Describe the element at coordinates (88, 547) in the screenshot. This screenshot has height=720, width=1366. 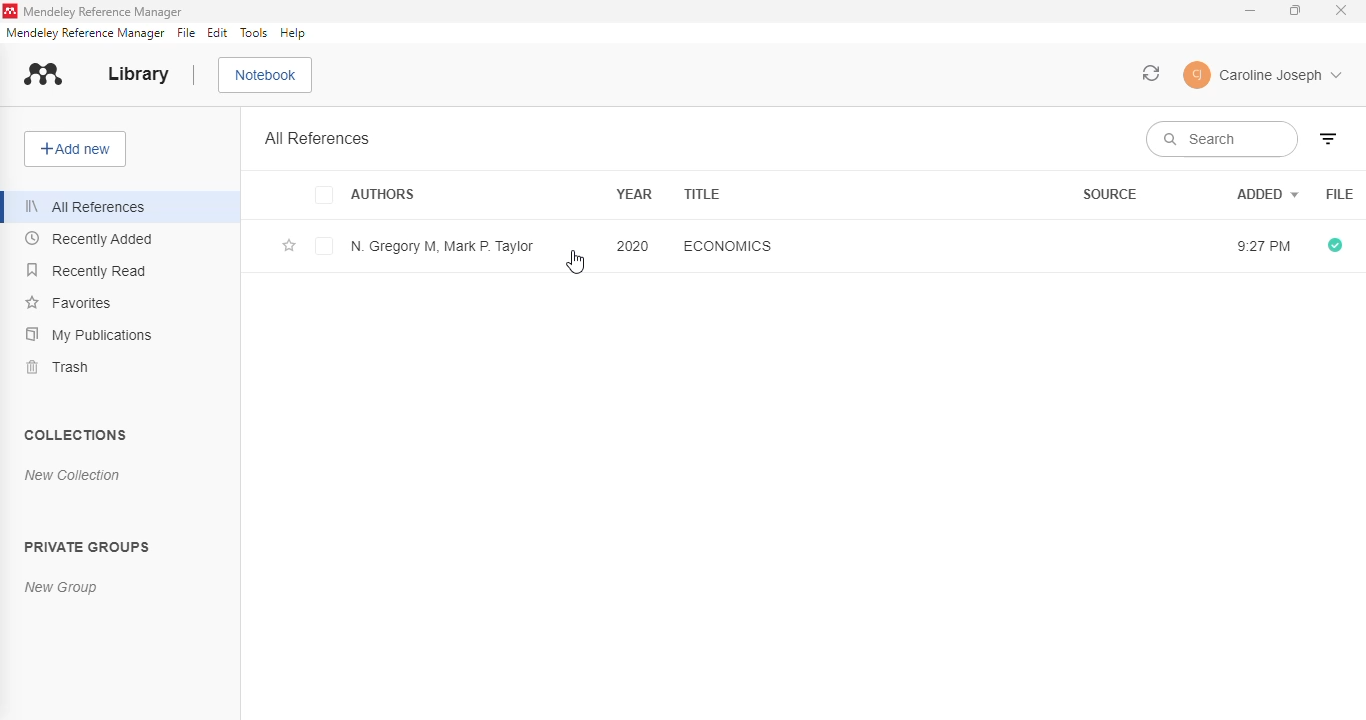
I see `private groups` at that location.